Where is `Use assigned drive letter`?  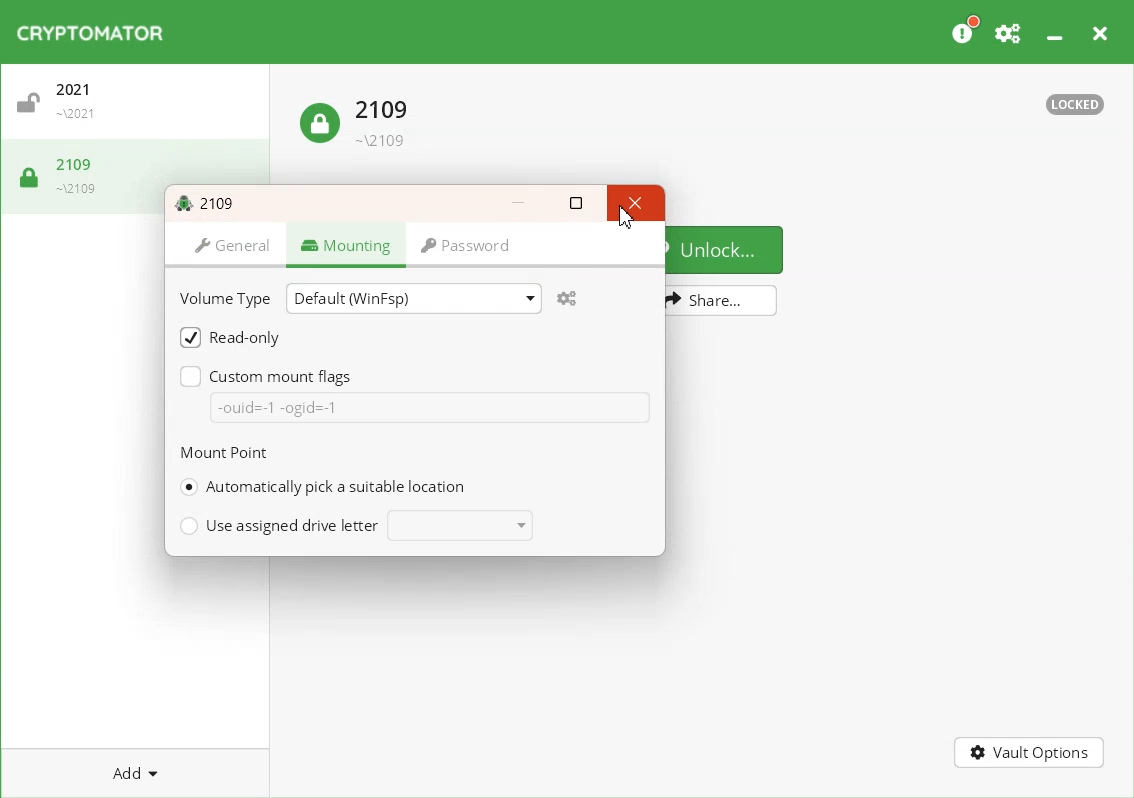 Use assigned drive letter is located at coordinates (355, 525).